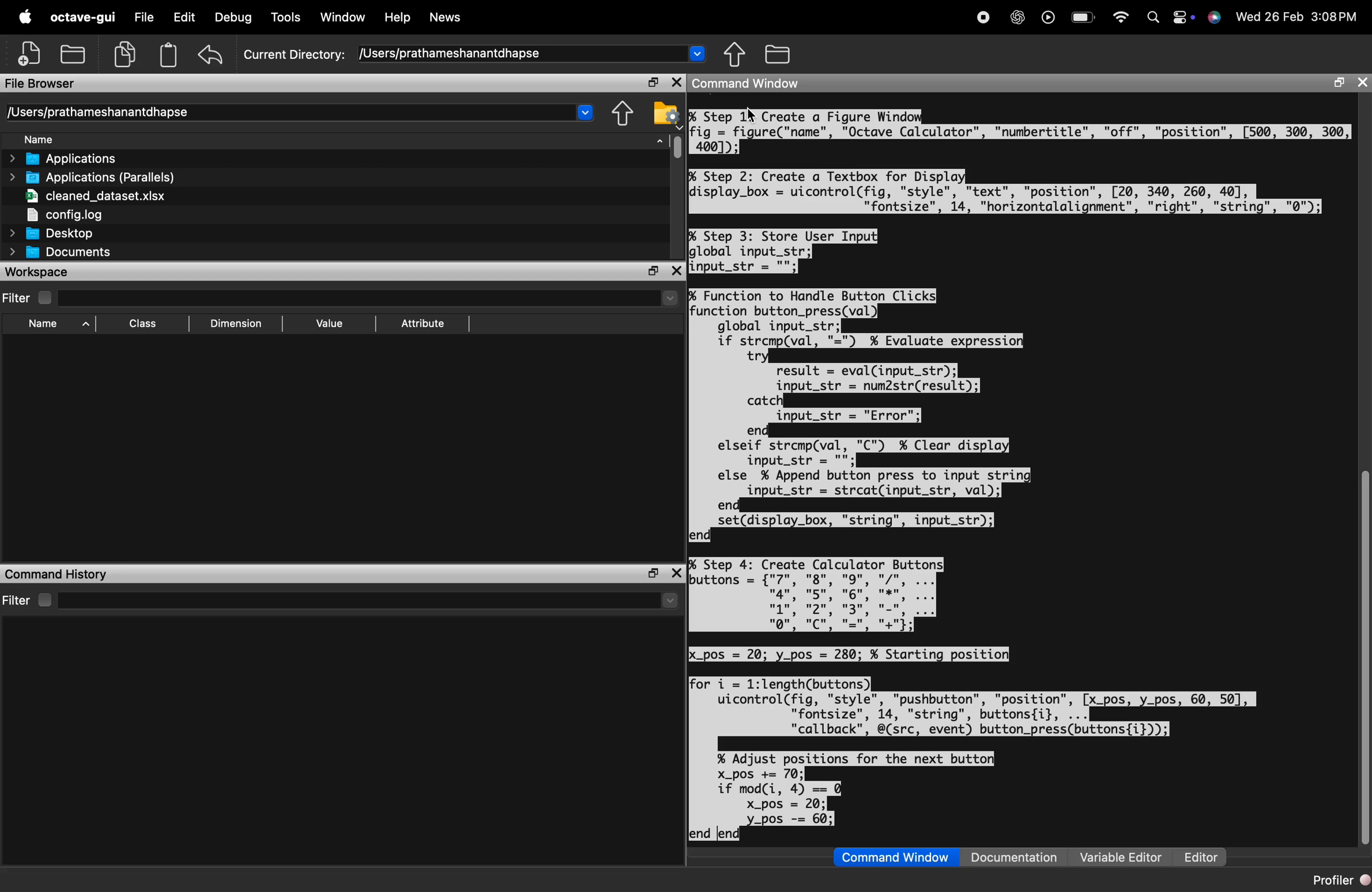  Describe the element at coordinates (371, 298) in the screenshot. I see `search here` at that location.